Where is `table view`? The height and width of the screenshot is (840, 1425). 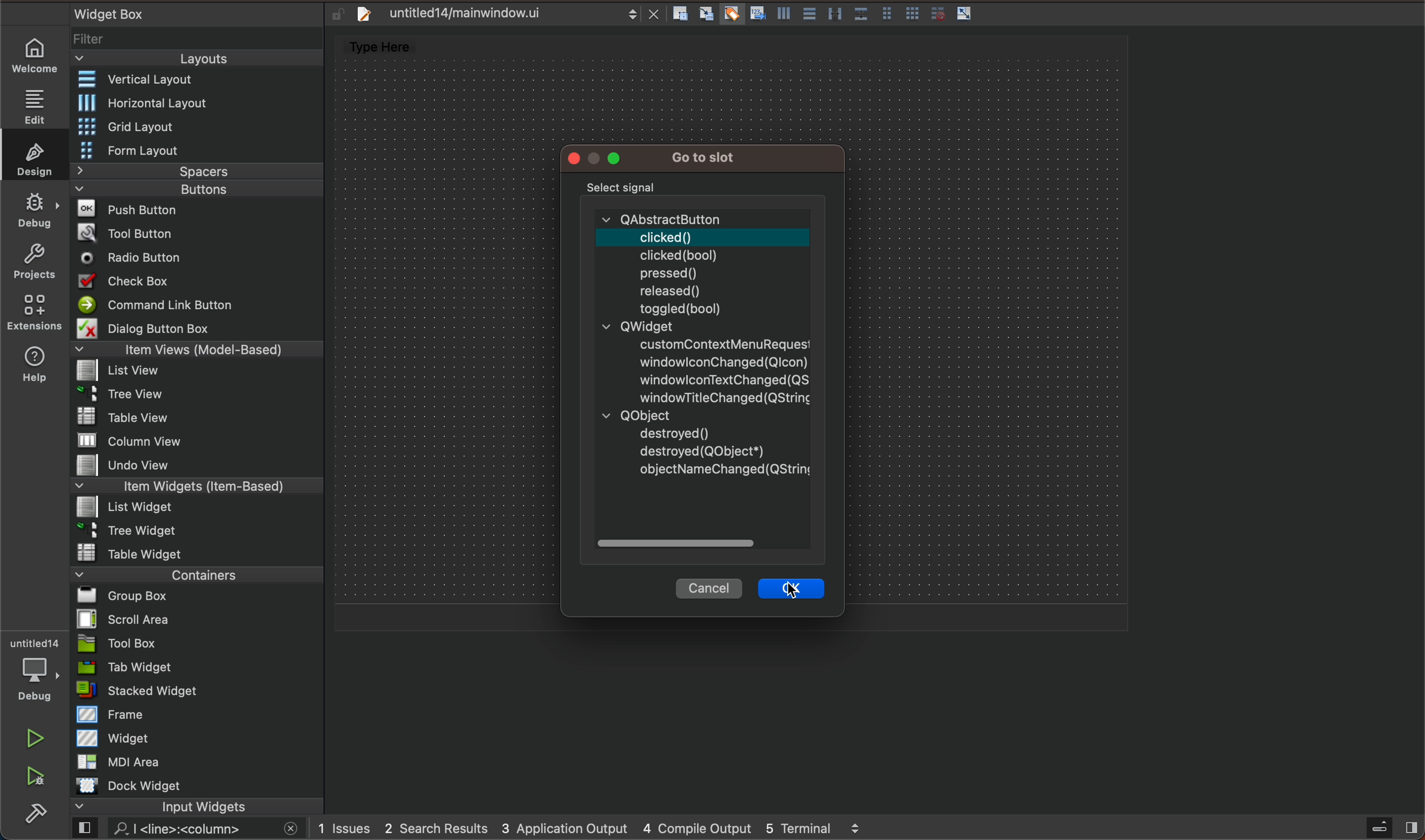
table view is located at coordinates (204, 418).